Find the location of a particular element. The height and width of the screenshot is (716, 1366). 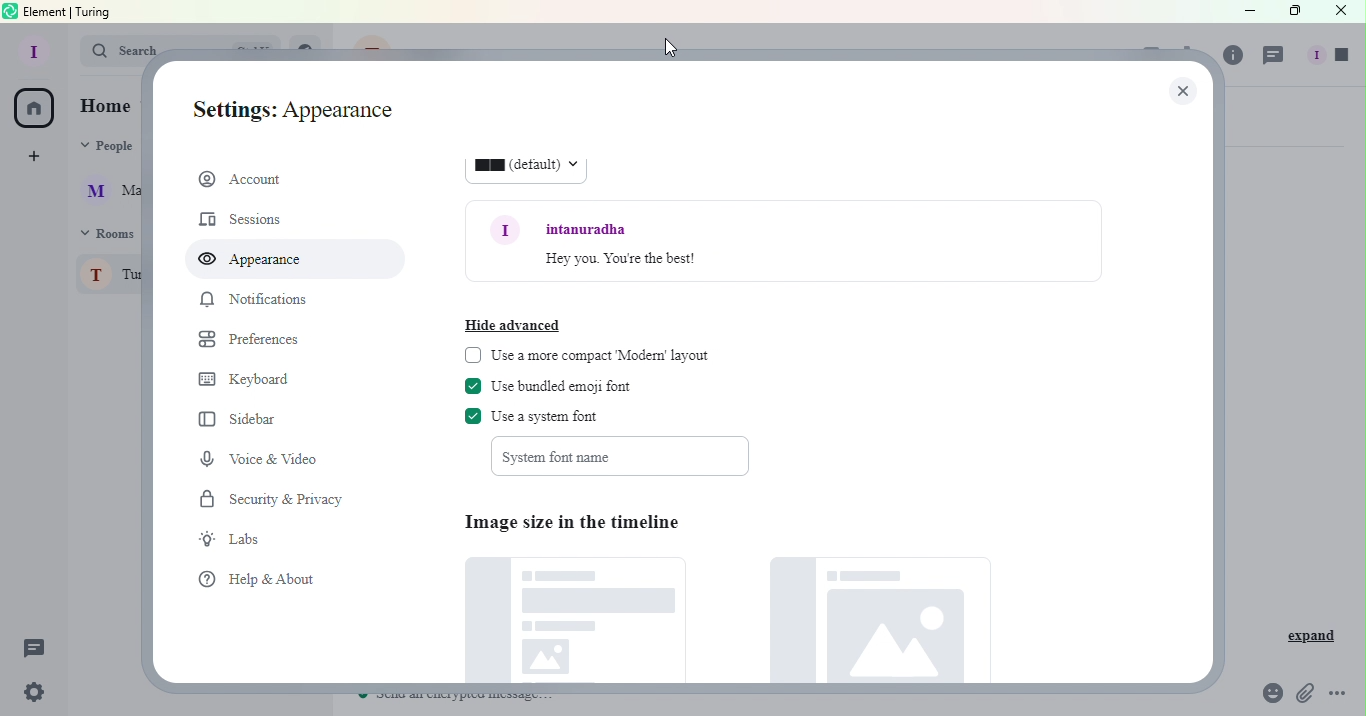

More Options is located at coordinates (1341, 696).